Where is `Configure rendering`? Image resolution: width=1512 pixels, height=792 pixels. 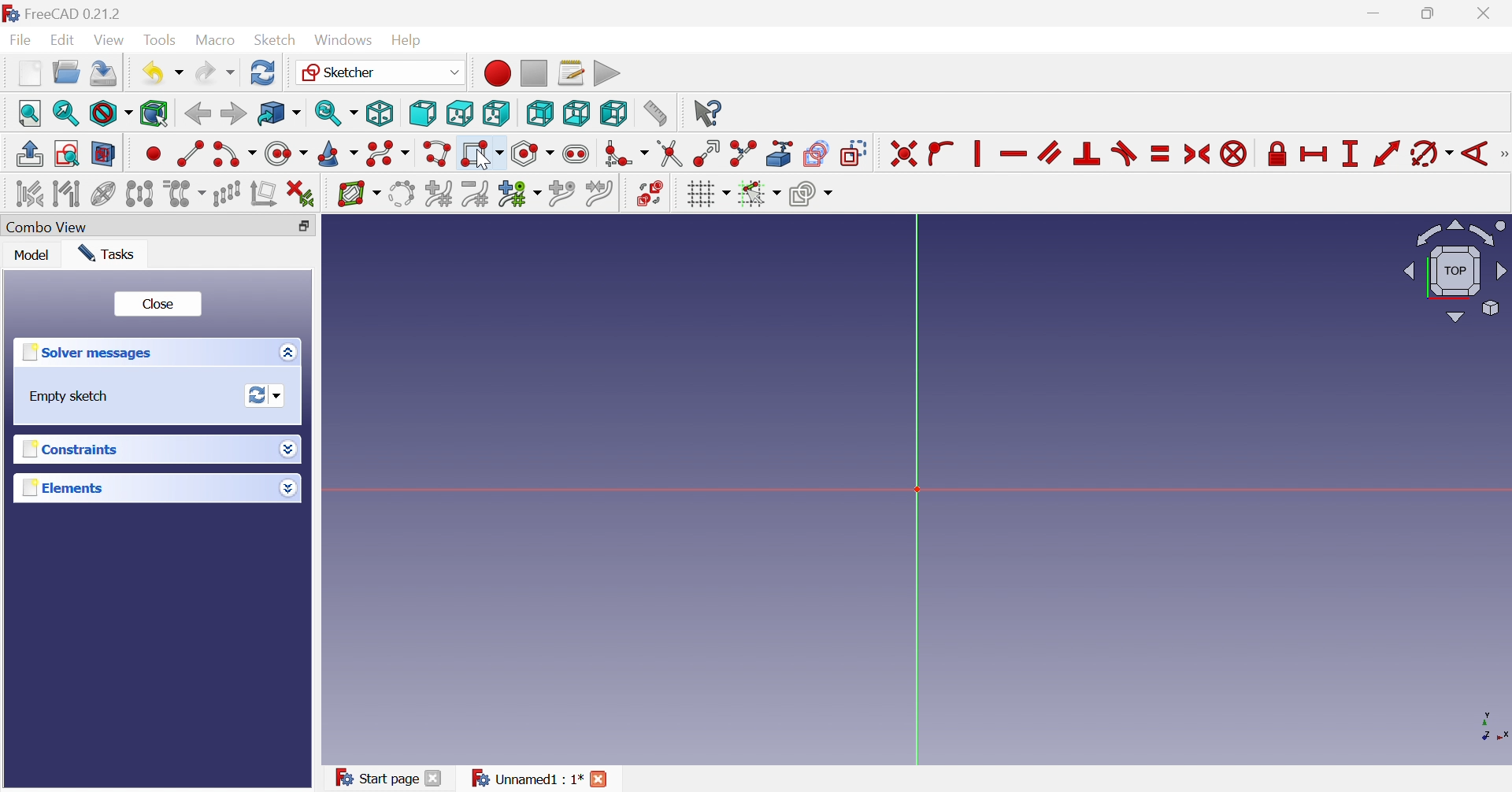
Configure rendering is located at coordinates (811, 196).